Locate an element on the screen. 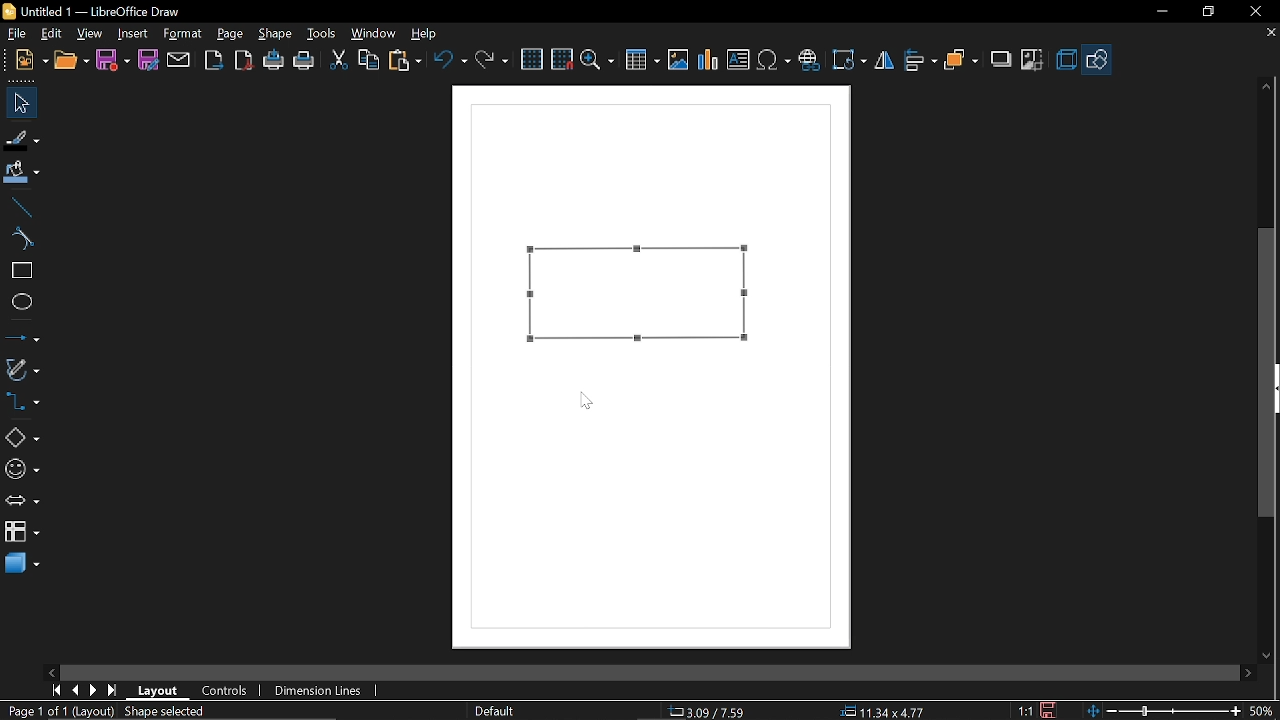 Image resolution: width=1280 pixels, height=720 pixels. change zoom is located at coordinates (1162, 711).